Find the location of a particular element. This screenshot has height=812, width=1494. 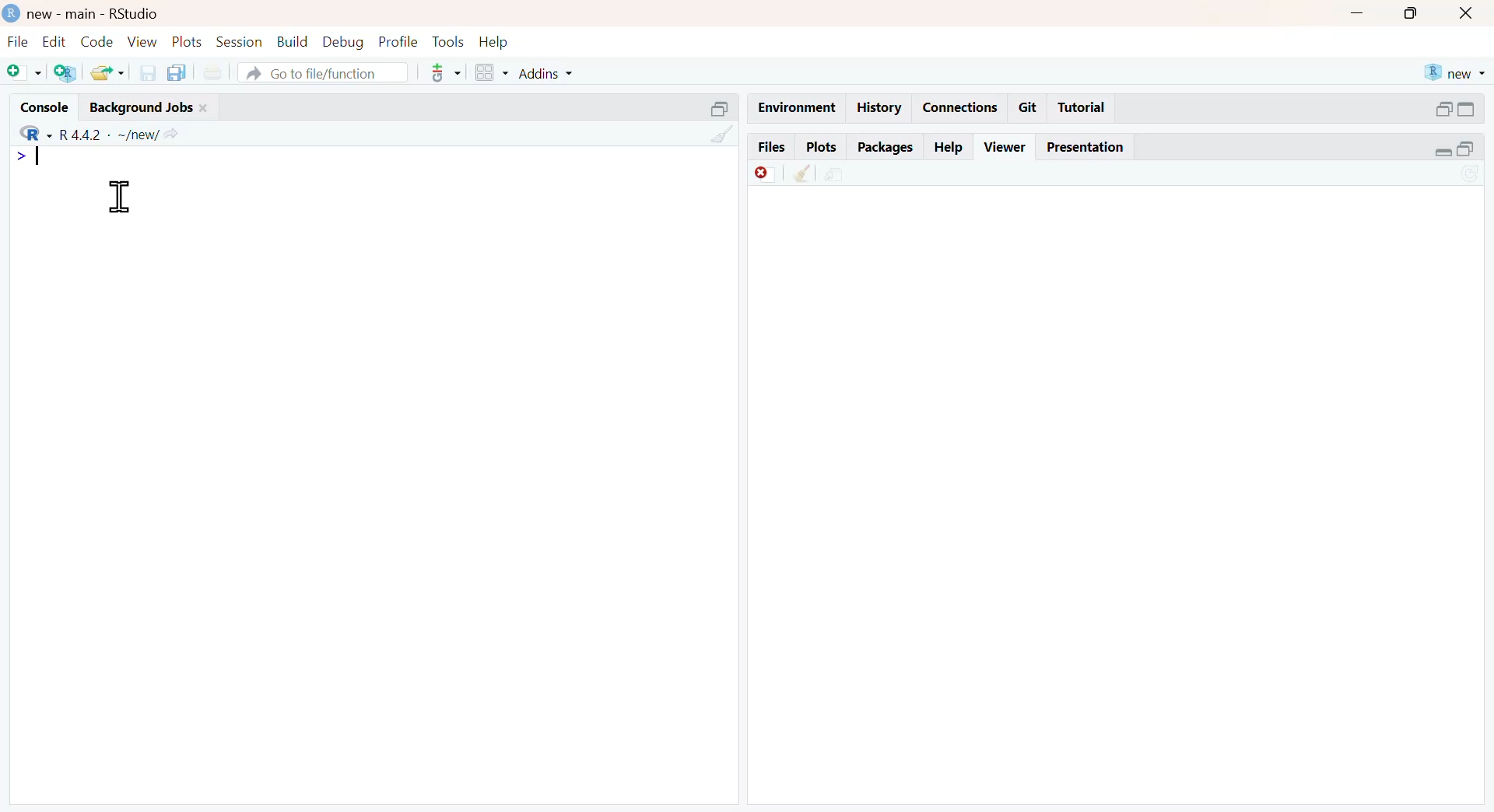

console is located at coordinates (45, 107).